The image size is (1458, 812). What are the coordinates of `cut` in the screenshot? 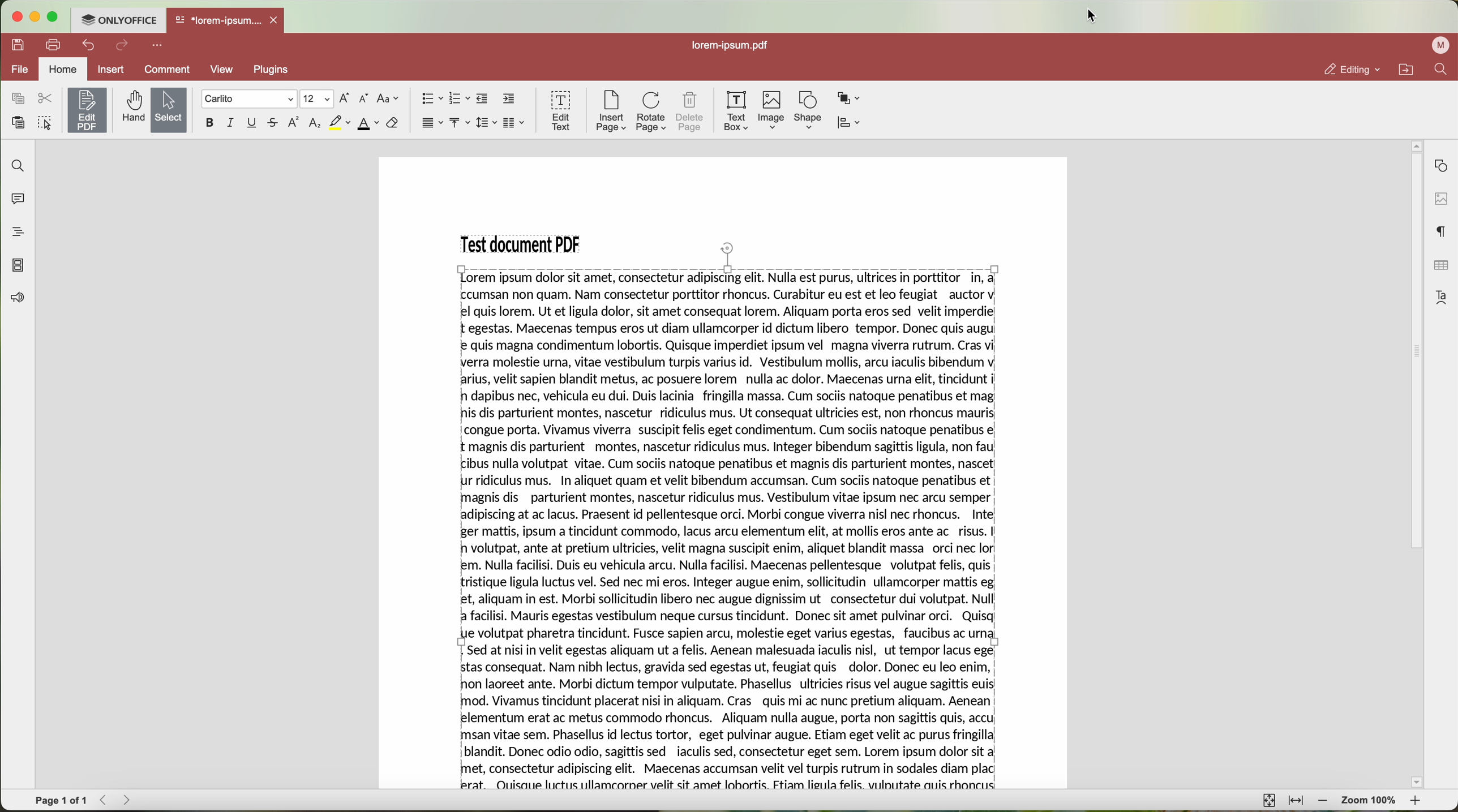 It's located at (46, 99).